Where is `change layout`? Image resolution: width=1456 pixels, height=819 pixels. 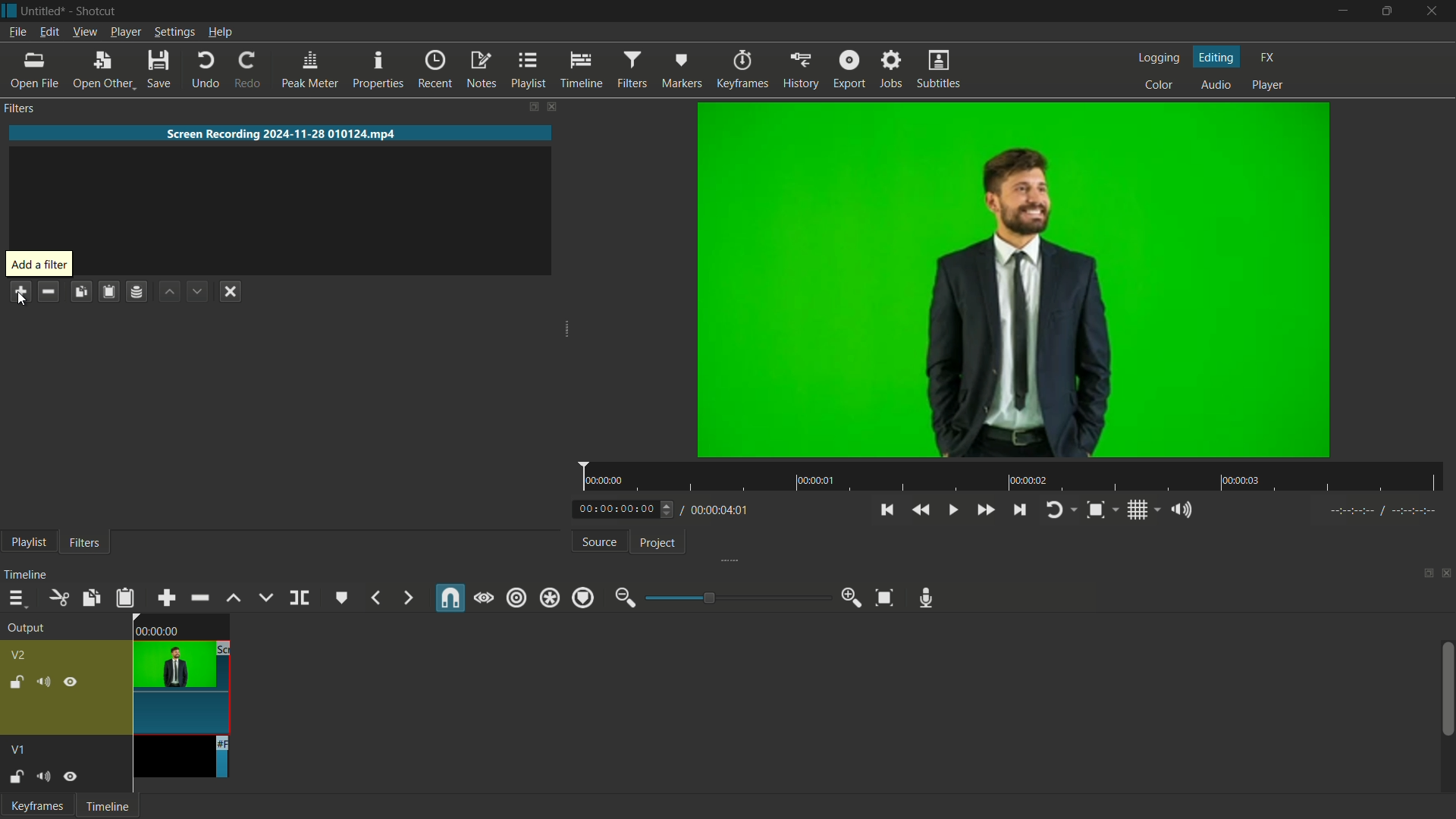 change layout is located at coordinates (1426, 573).